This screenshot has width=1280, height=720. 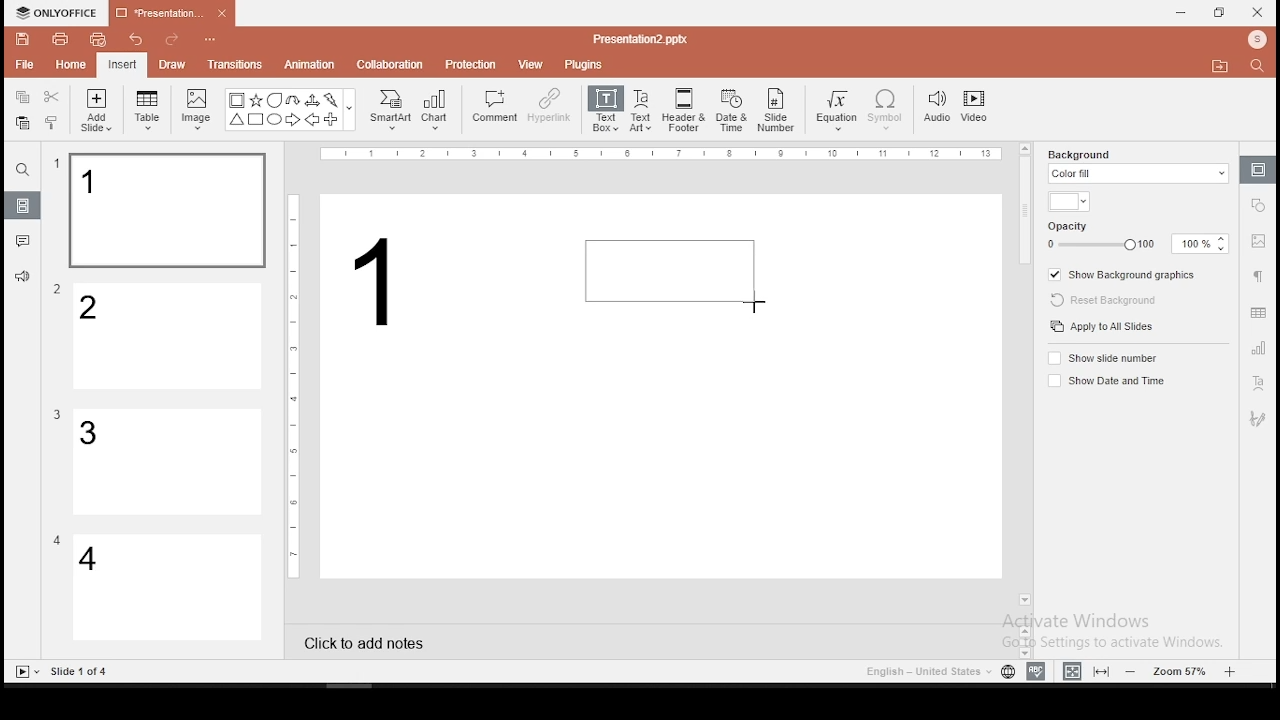 What do you see at coordinates (24, 66) in the screenshot?
I see `file` at bounding box center [24, 66].